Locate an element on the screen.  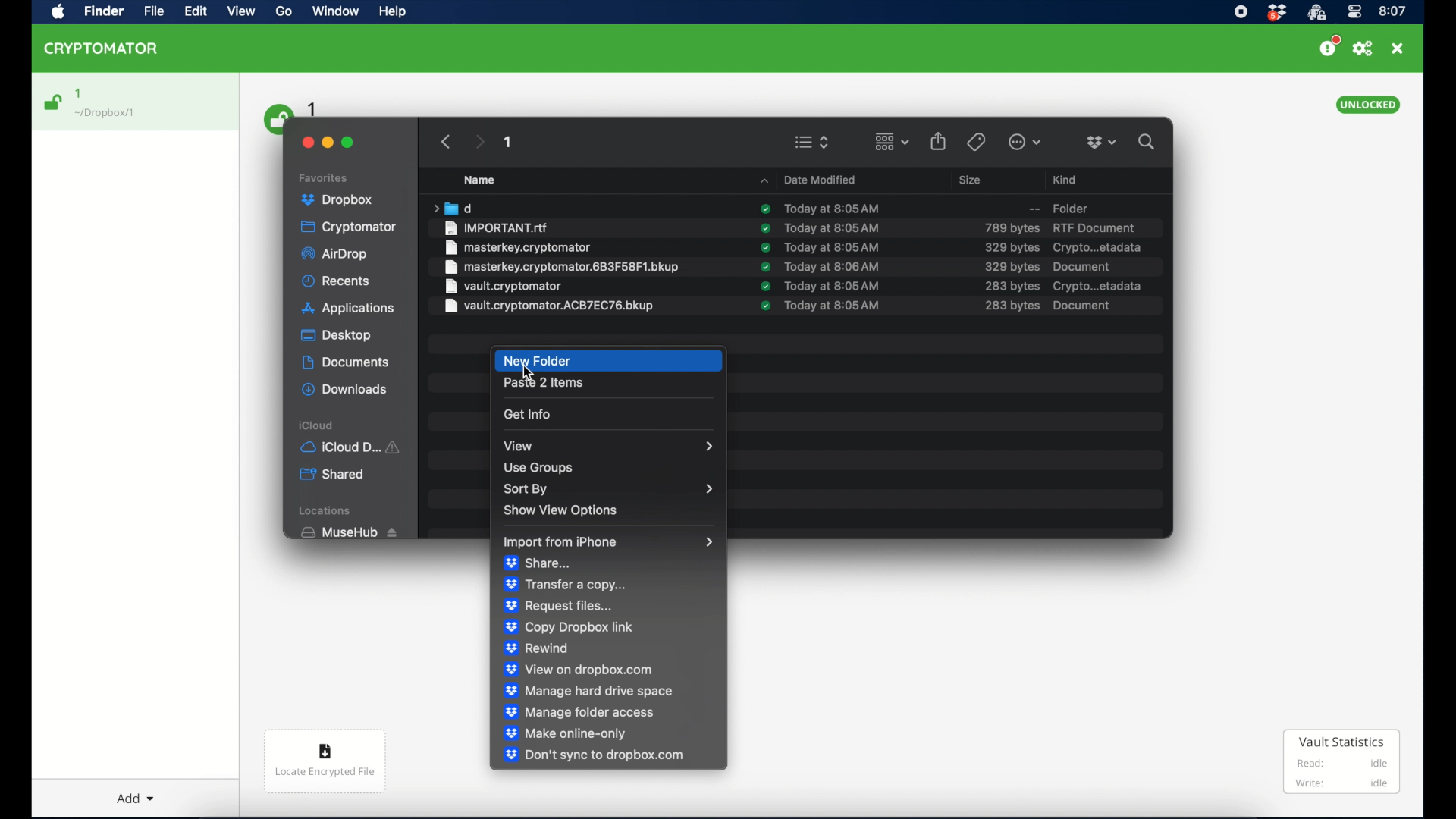
1 is located at coordinates (509, 144).